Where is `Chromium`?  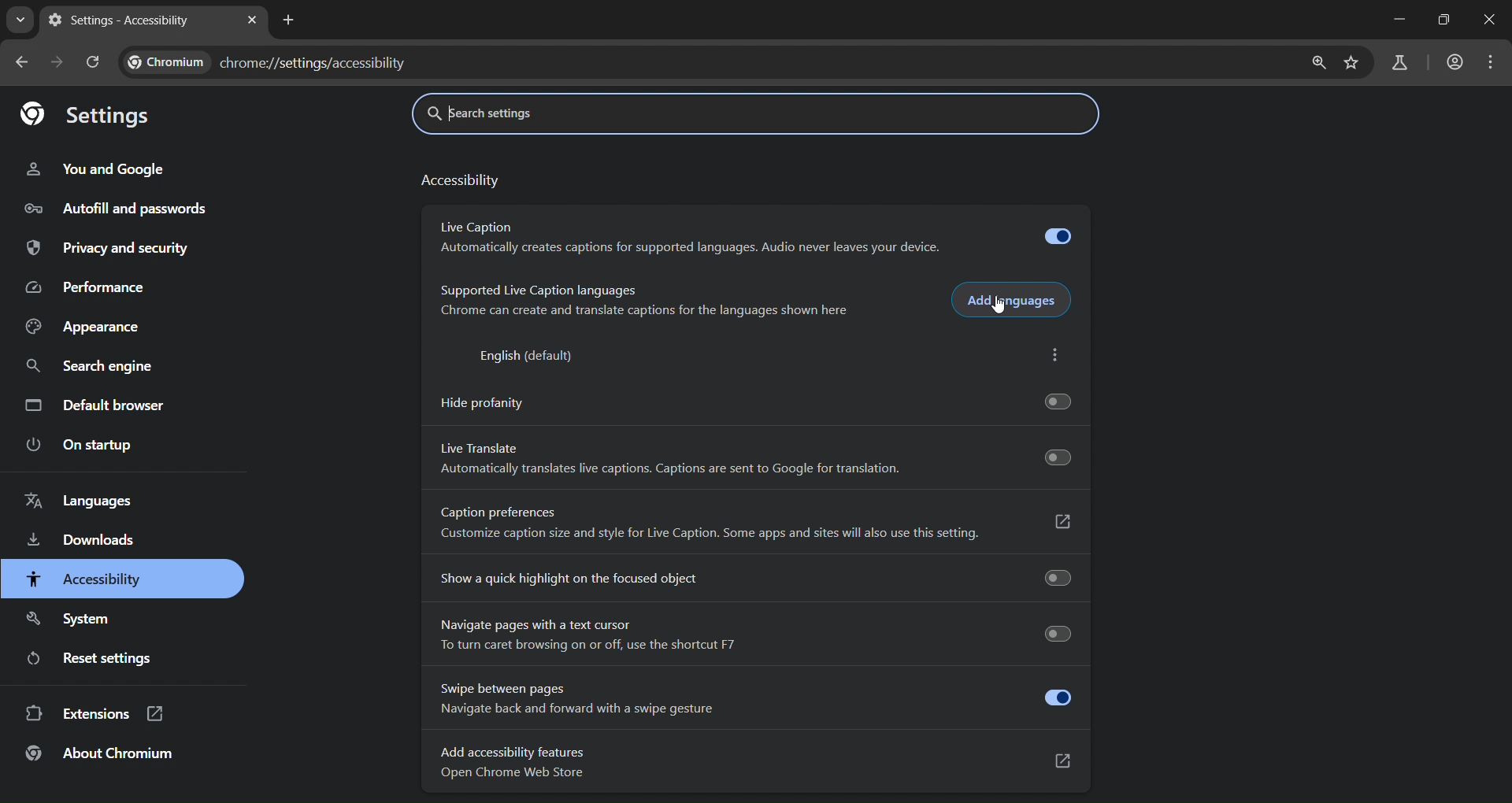
Chromium is located at coordinates (168, 60).